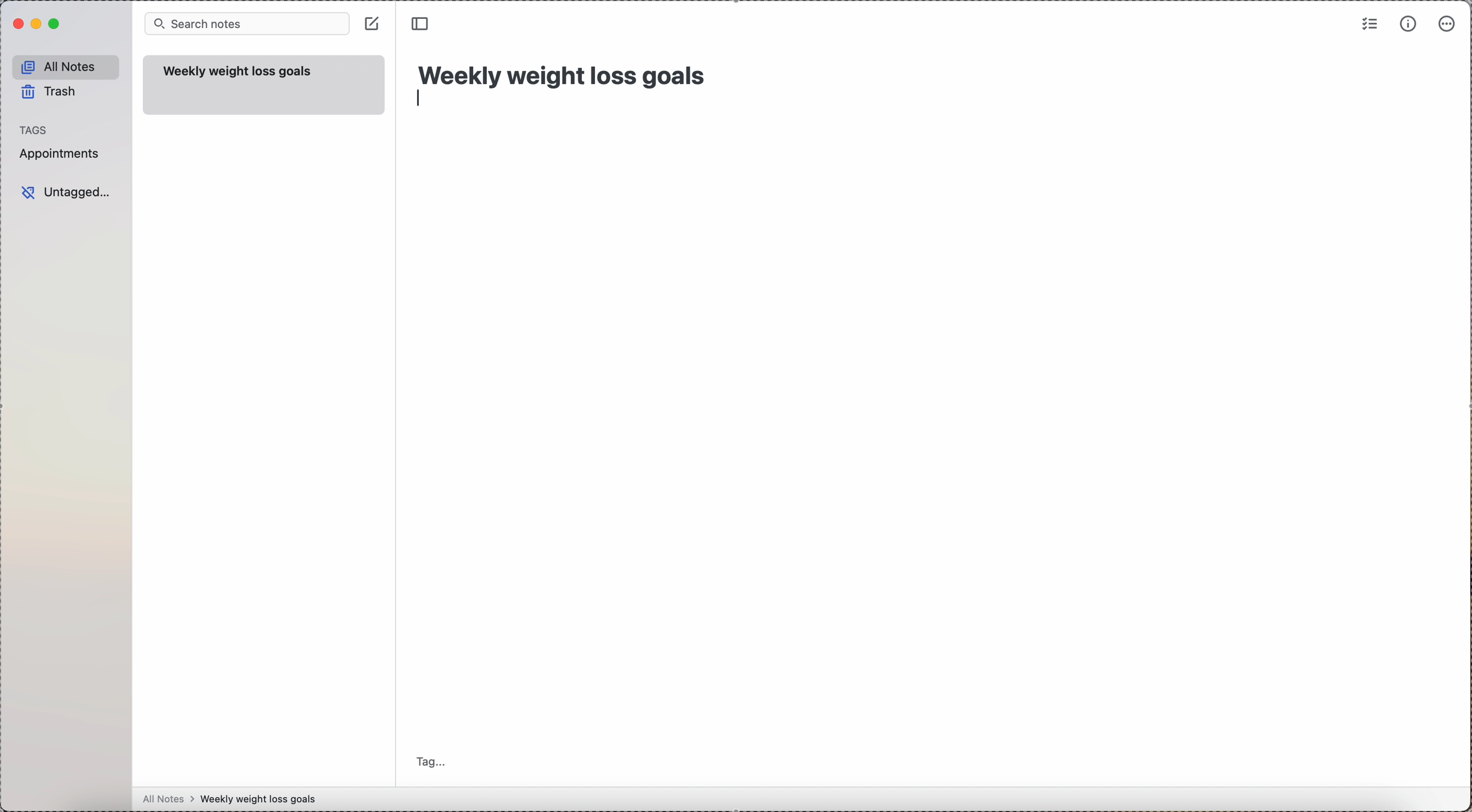 The width and height of the screenshot is (1472, 812). Describe the element at coordinates (1449, 23) in the screenshot. I see `more options` at that location.